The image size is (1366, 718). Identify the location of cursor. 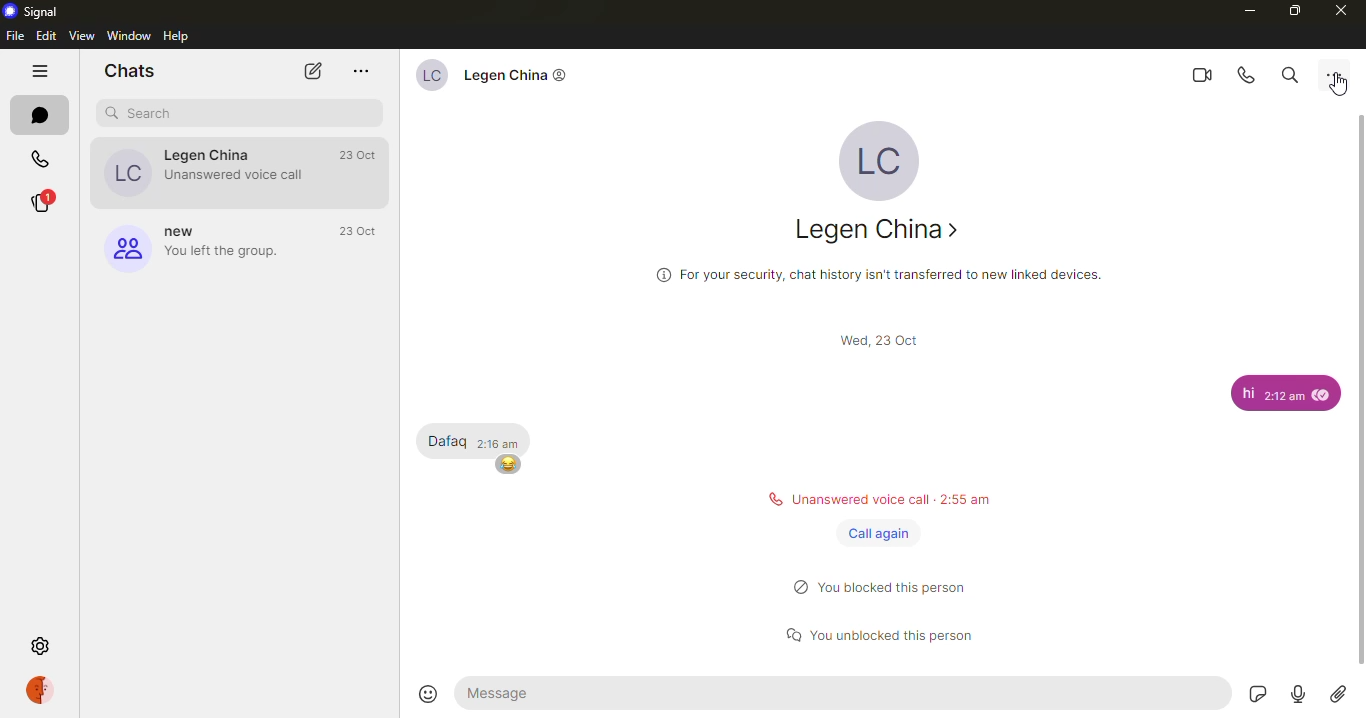
(1345, 86).